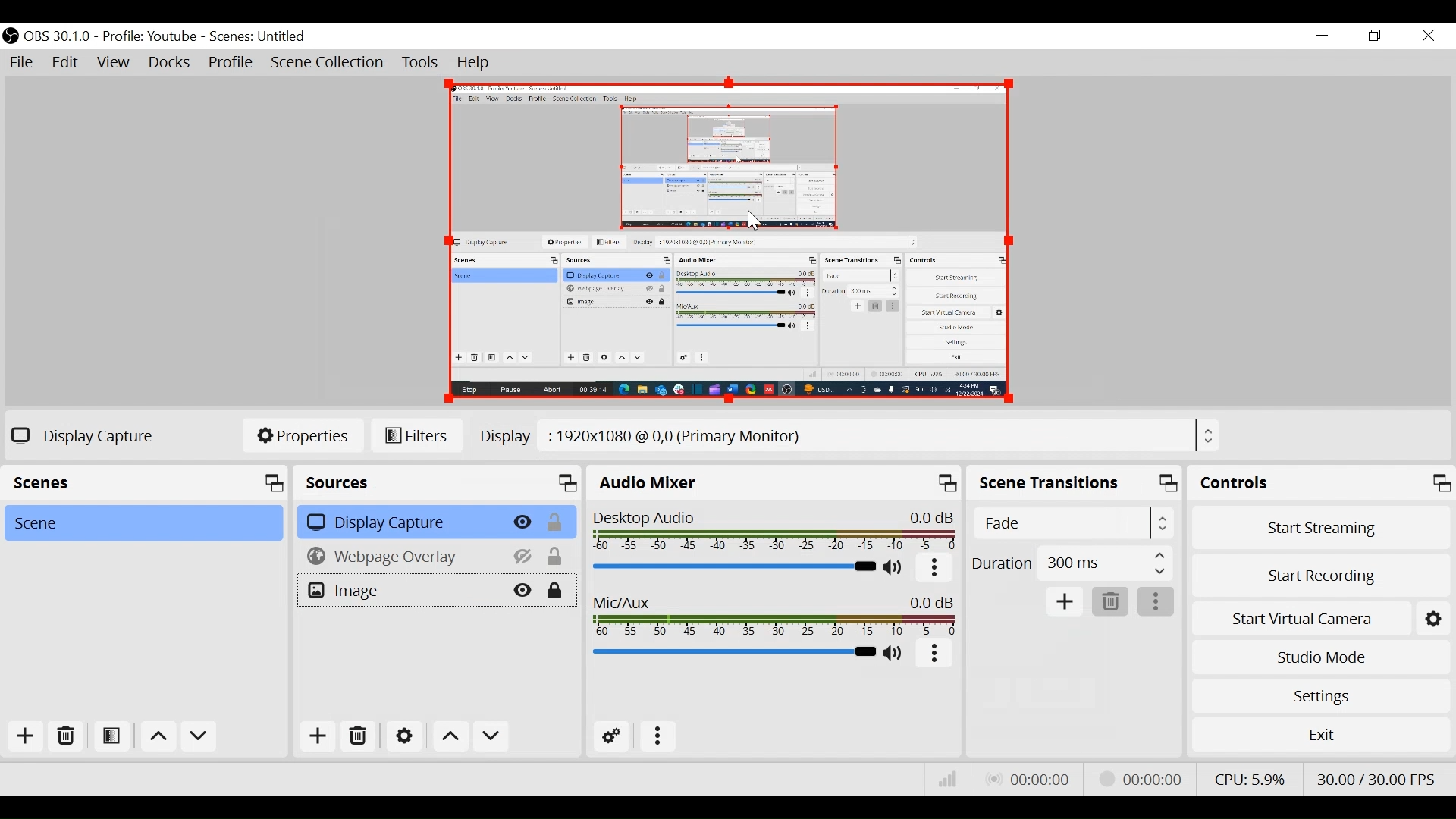 This screenshot has height=819, width=1456. I want to click on CPU Usage, so click(1250, 779).